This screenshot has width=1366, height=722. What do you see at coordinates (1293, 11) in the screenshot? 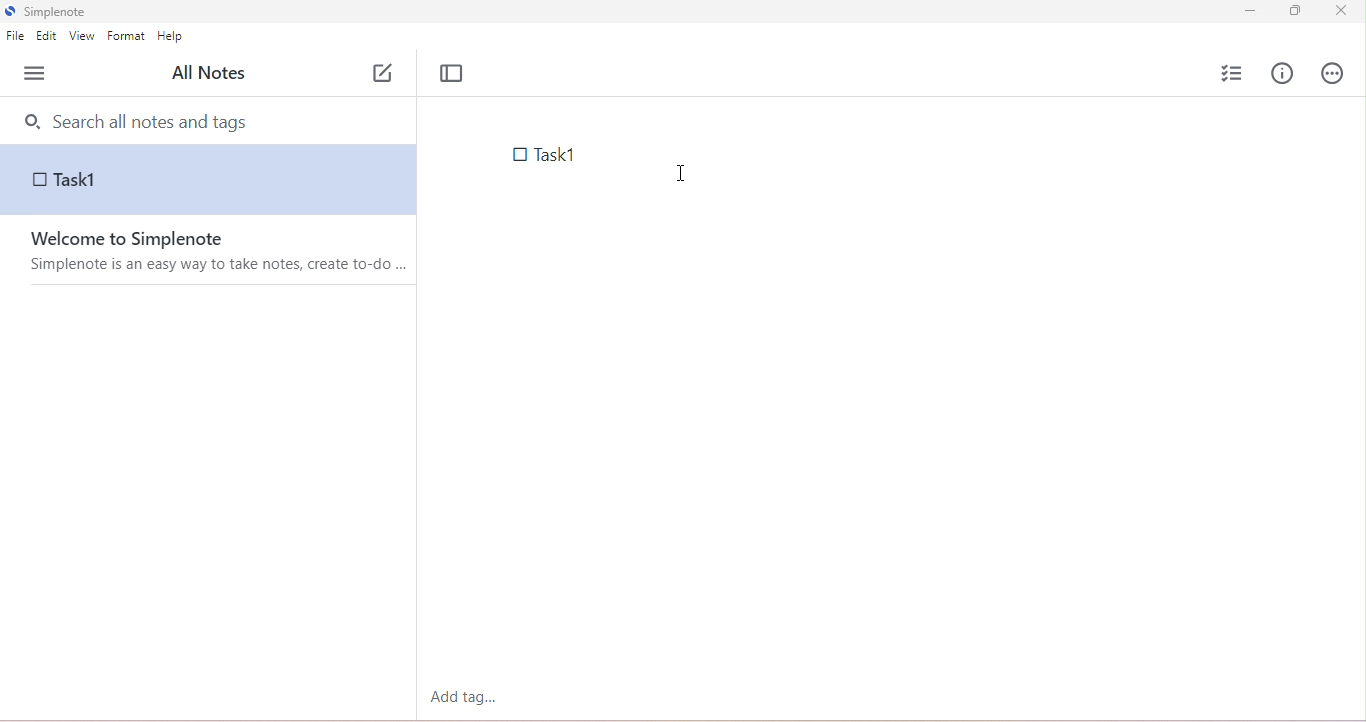
I see `maximize` at bounding box center [1293, 11].